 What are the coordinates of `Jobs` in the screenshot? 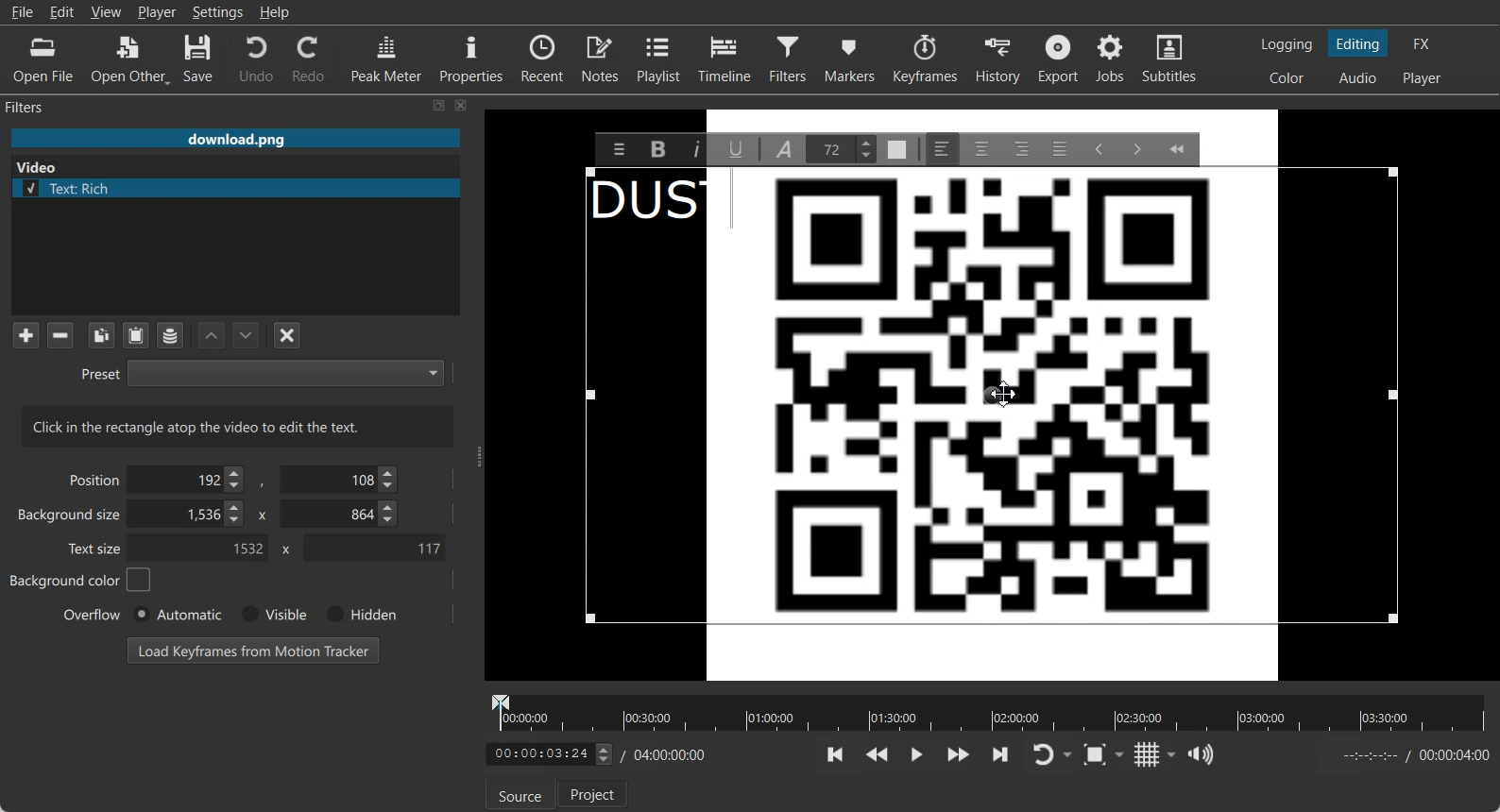 It's located at (1112, 59).